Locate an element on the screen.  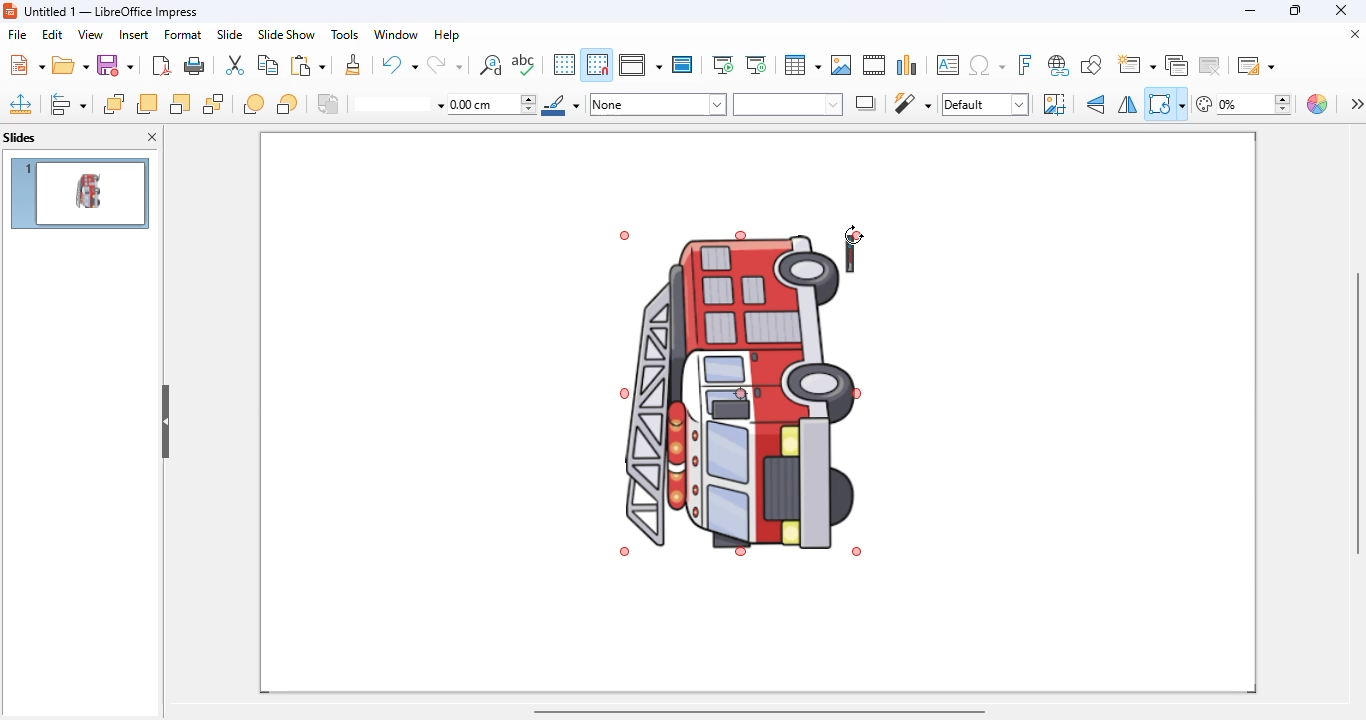
align objects is located at coordinates (68, 104).